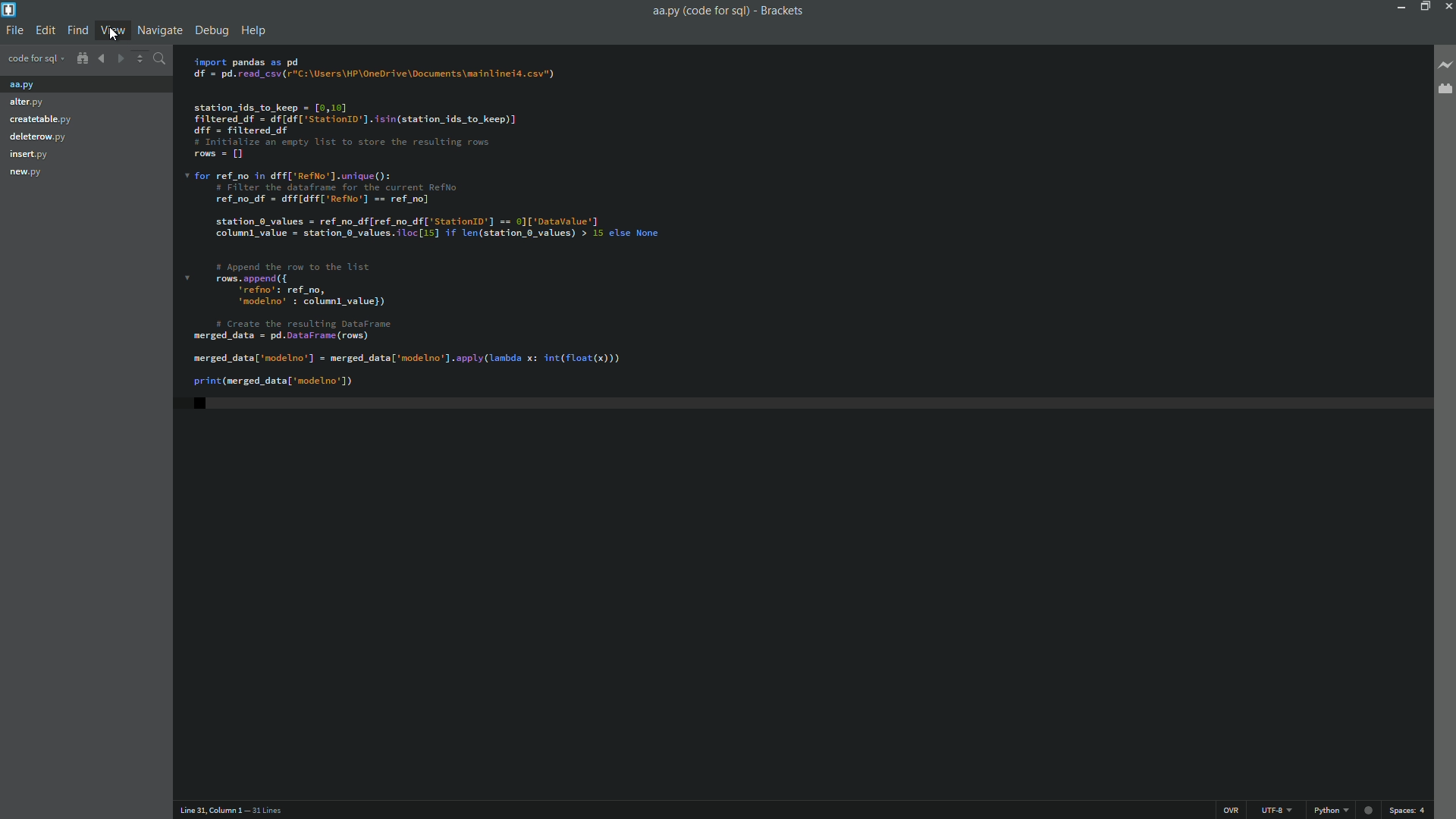  What do you see at coordinates (39, 136) in the screenshot?
I see `deleterow.py` at bounding box center [39, 136].